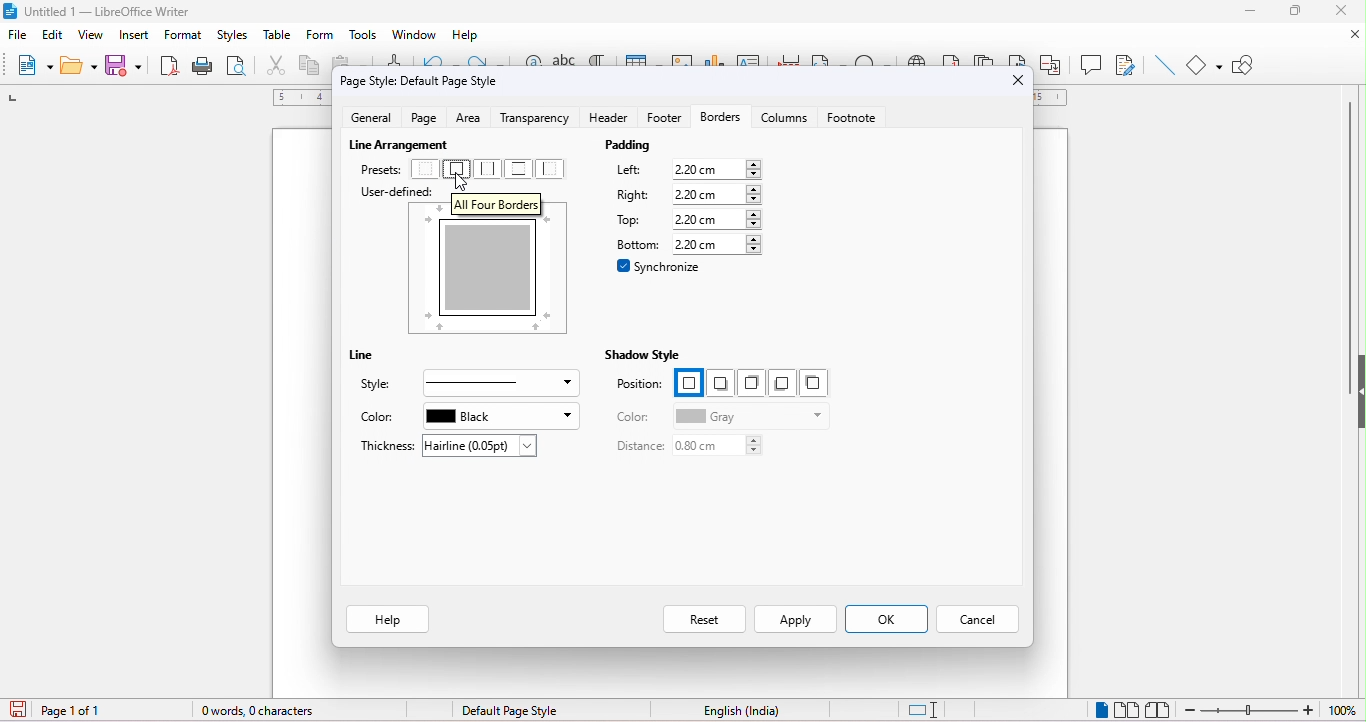 Image resolution: width=1366 pixels, height=722 pixels. Describe the element at coordinates (376, 120) in the screenshot. I see `general` at that location.